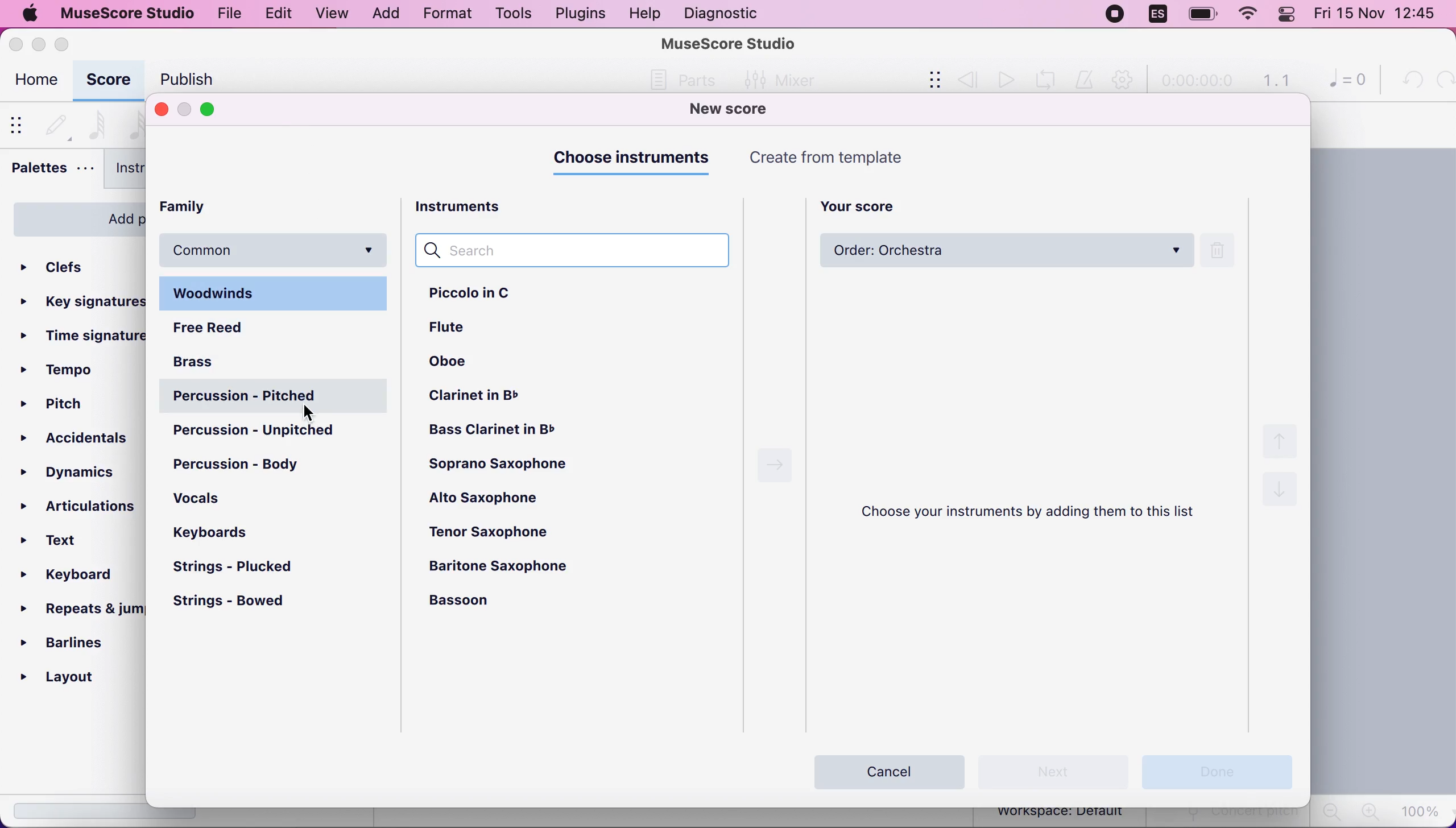 This screenshot has height=828, width=1456. Describe the element at coordinates (503, 462) in the screenshot. I see `soprano saxophone` at that location.